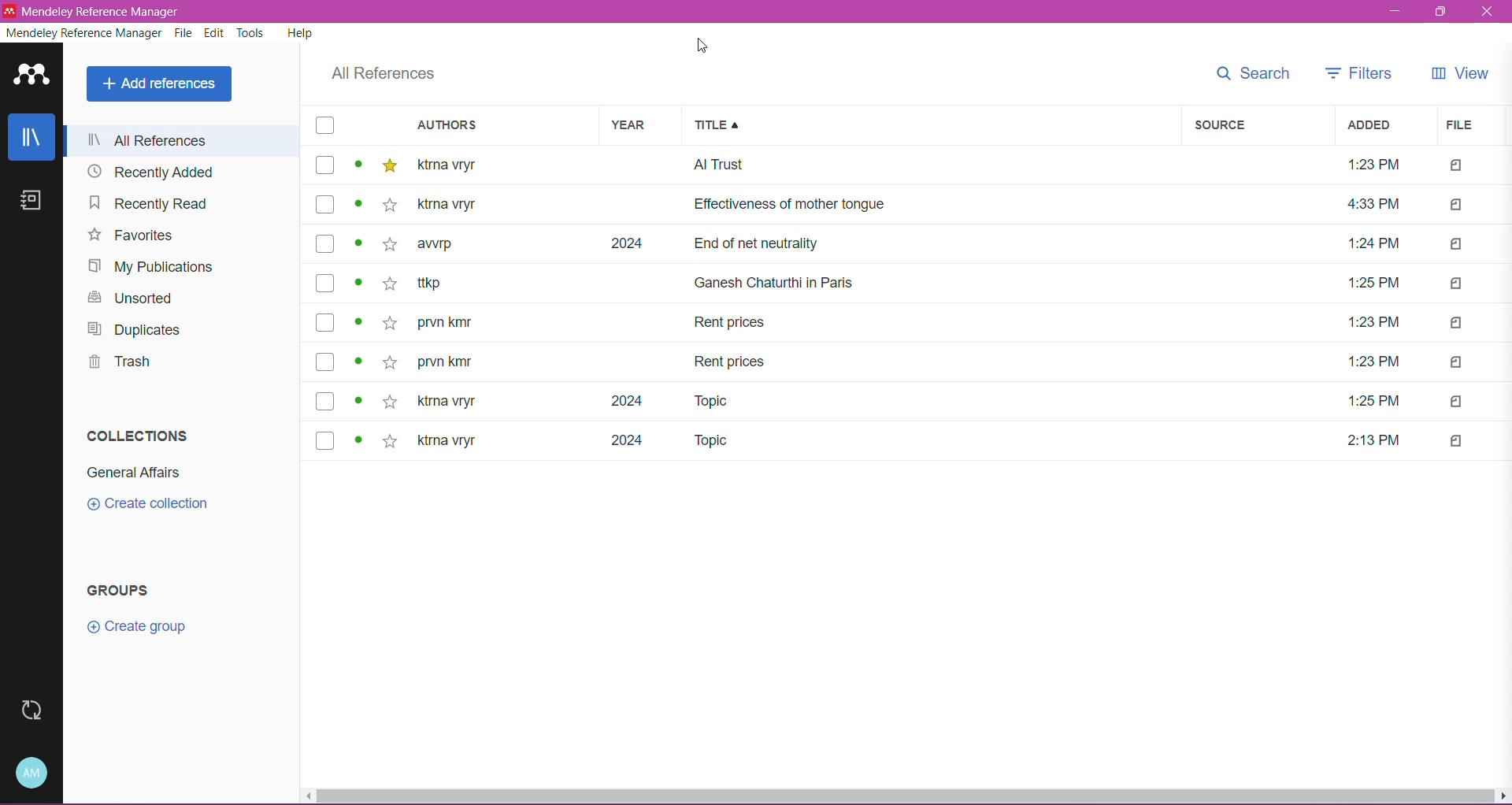 This screenshot has width=1512, height=805. Describe the element at coordinates (1252, 74) in the screenshot. I see `Search` at that location.